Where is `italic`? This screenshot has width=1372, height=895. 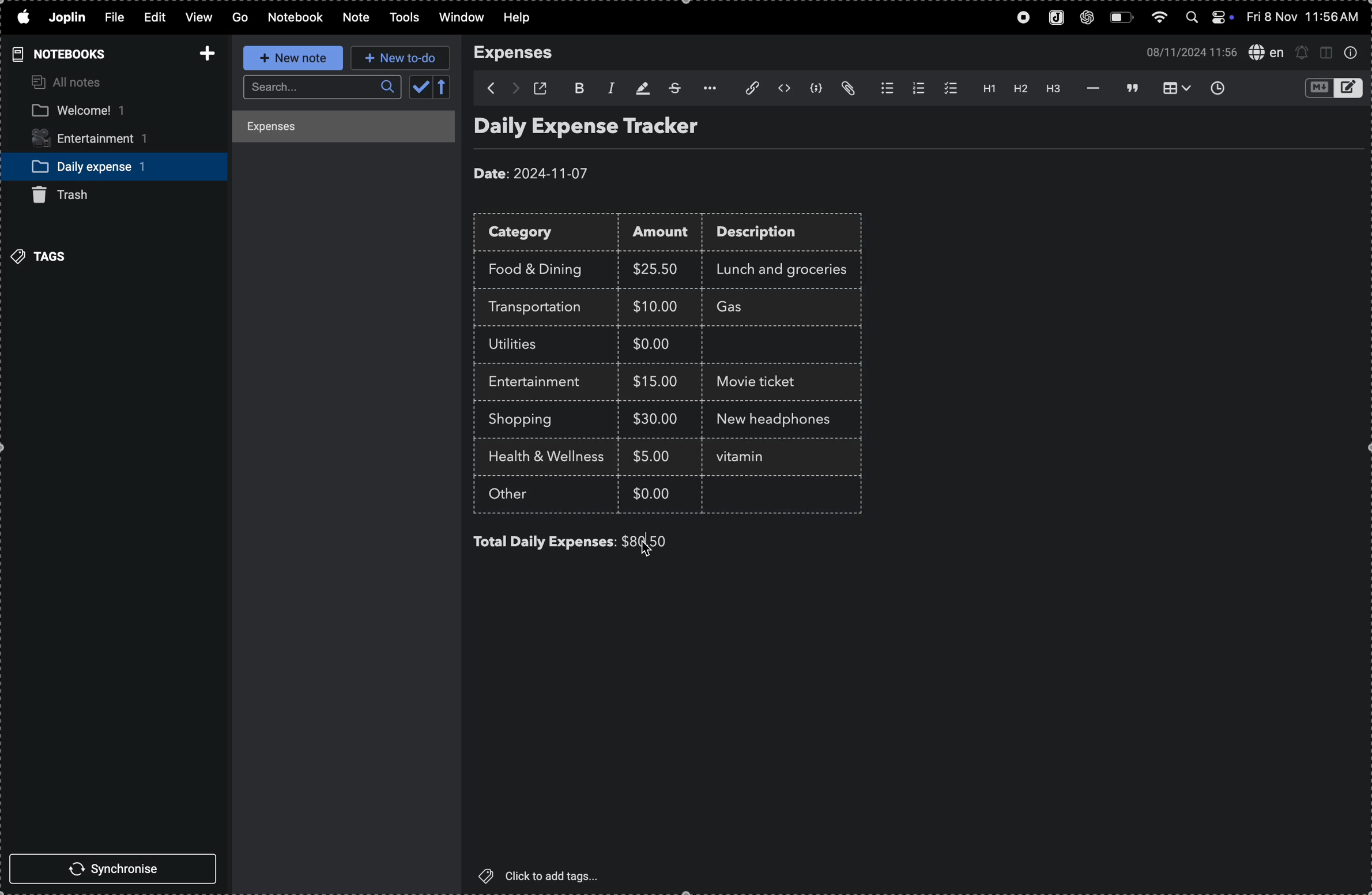
italic is located at coordinates (608, 87).